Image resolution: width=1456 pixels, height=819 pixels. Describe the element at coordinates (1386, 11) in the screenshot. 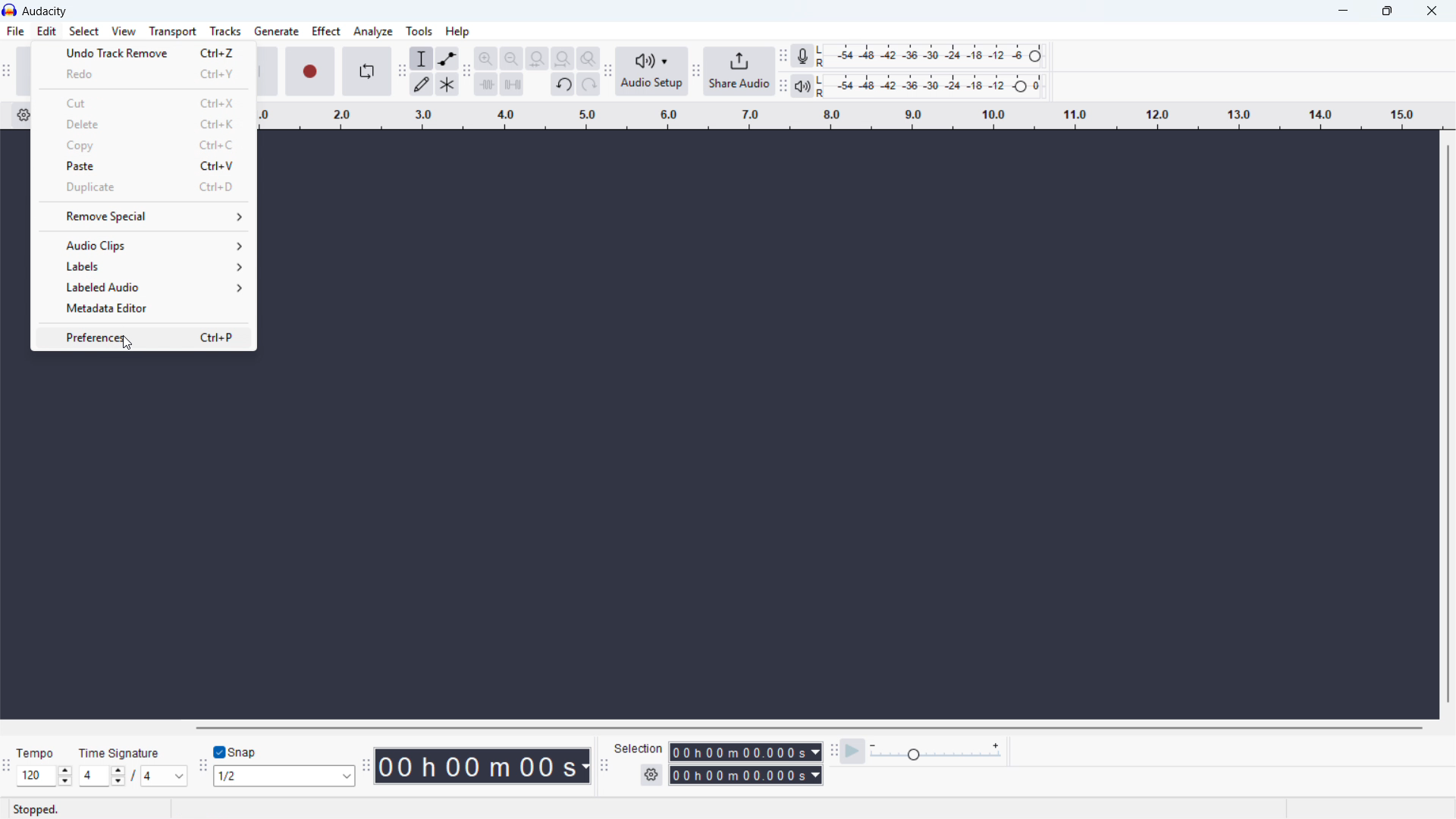

I see `maximize` at that location.